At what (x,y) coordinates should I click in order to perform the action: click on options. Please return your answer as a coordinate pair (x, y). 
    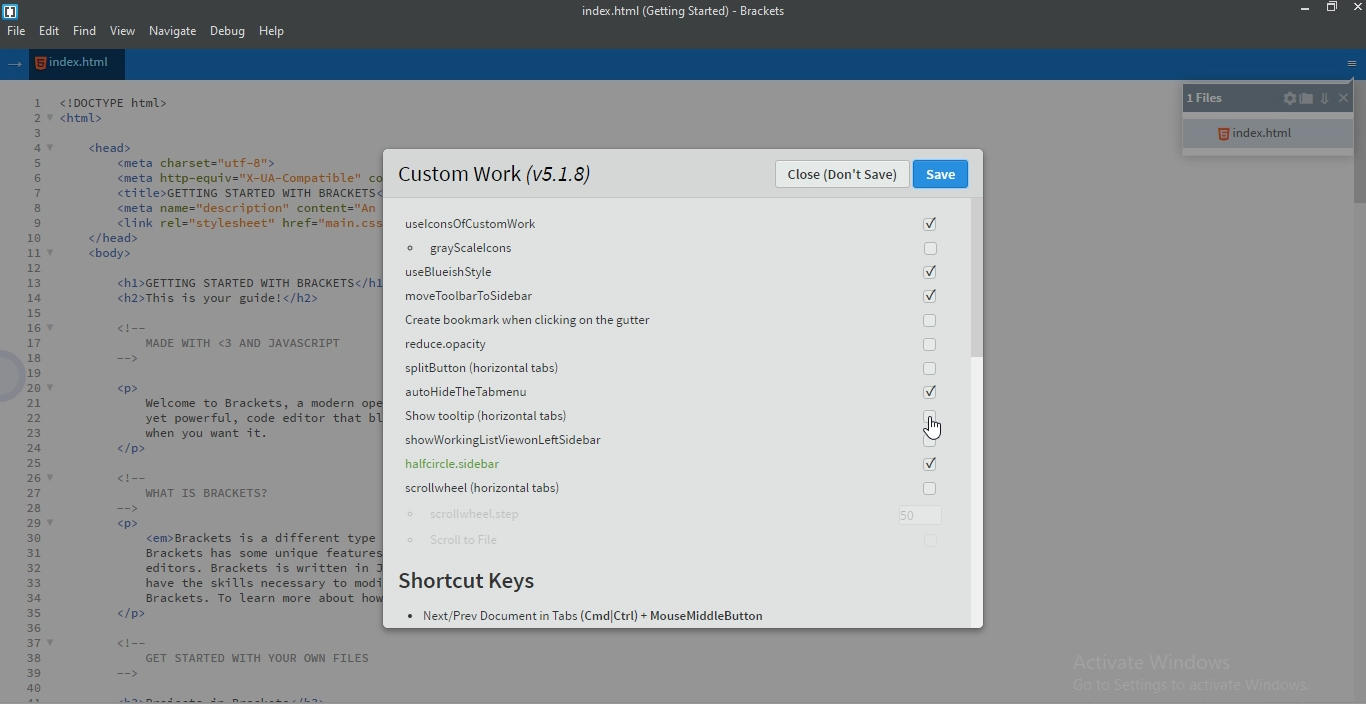
    Looking at the image, I should click on (1352, 64).